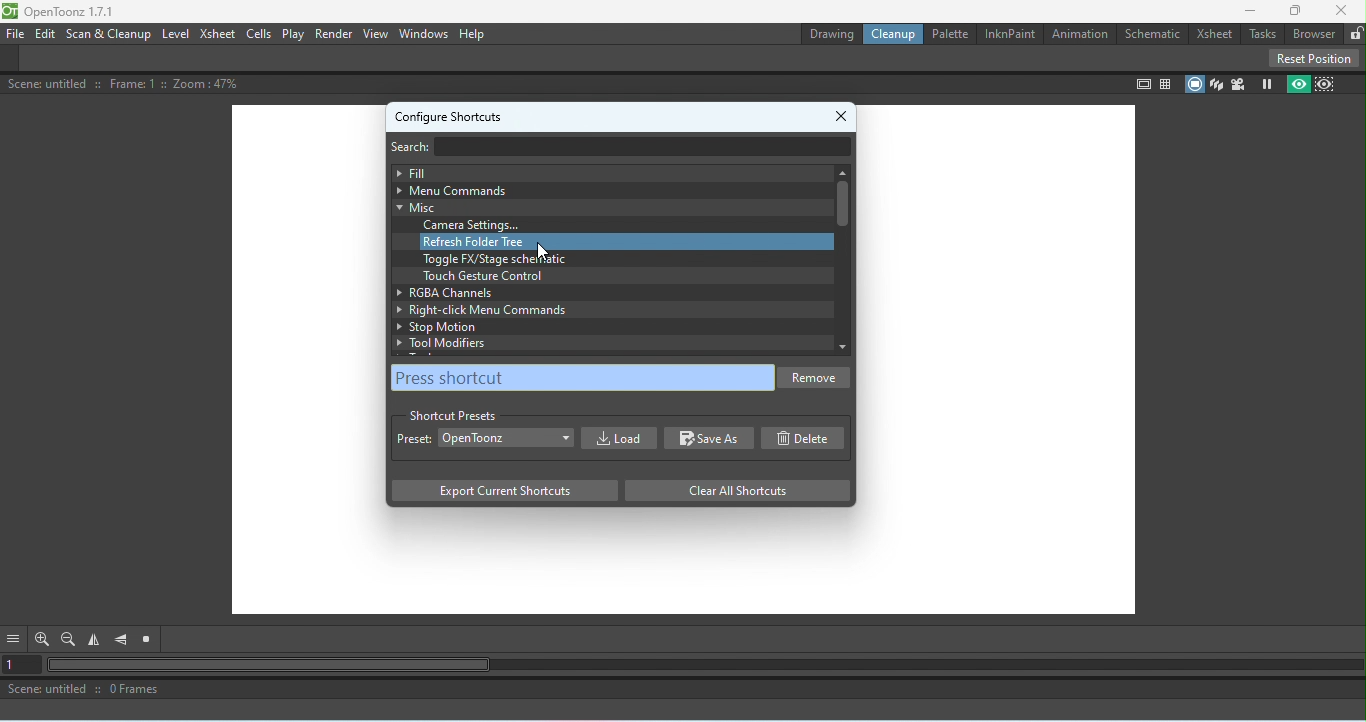  What do you see at coordinates (897, 35) in the screenshot?
I see `Cleanup` at bounding box center [897, 35].